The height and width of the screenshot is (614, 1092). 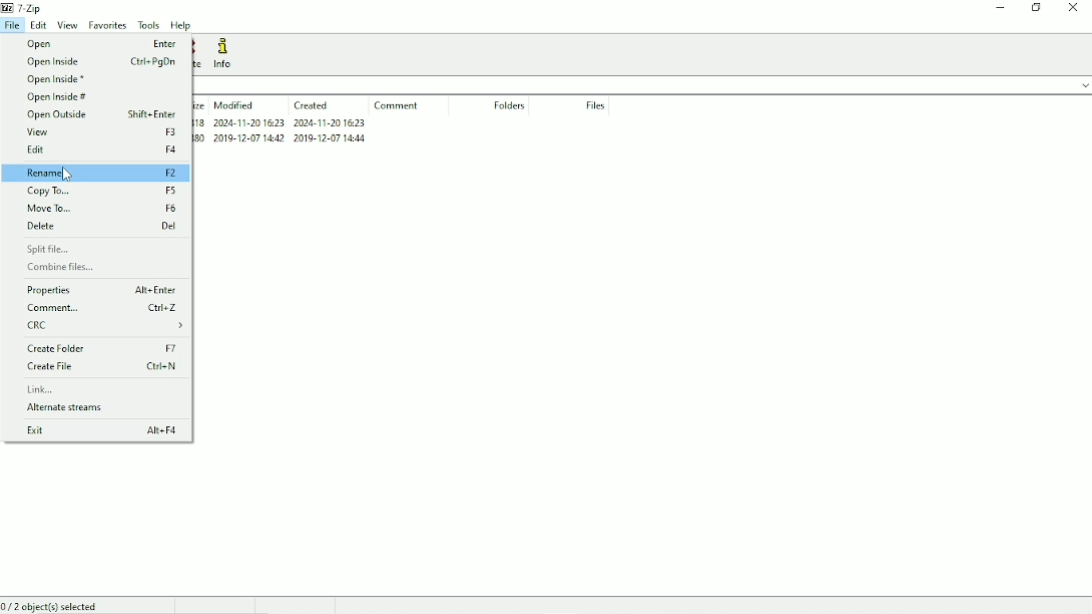 What do you see at coordinates (99, 62) in the screenshot?
I see `Open Inside` at bounding box center [99, 62].